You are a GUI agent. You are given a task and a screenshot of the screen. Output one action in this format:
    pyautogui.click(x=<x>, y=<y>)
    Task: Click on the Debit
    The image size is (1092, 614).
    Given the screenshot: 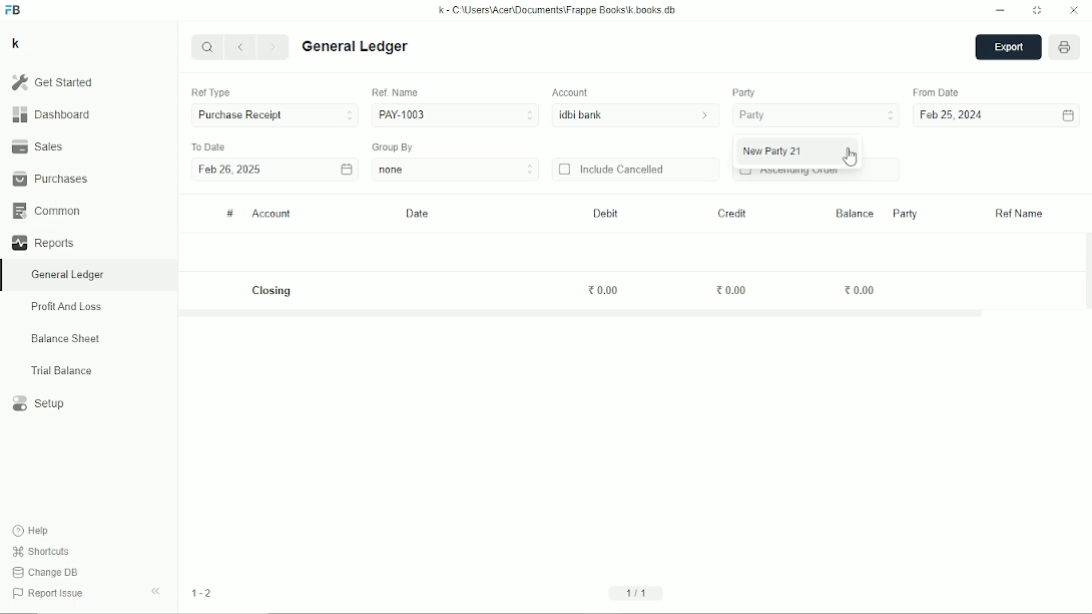 What is the action you would take?
    pyautogui.click(x=606, y=213)
    